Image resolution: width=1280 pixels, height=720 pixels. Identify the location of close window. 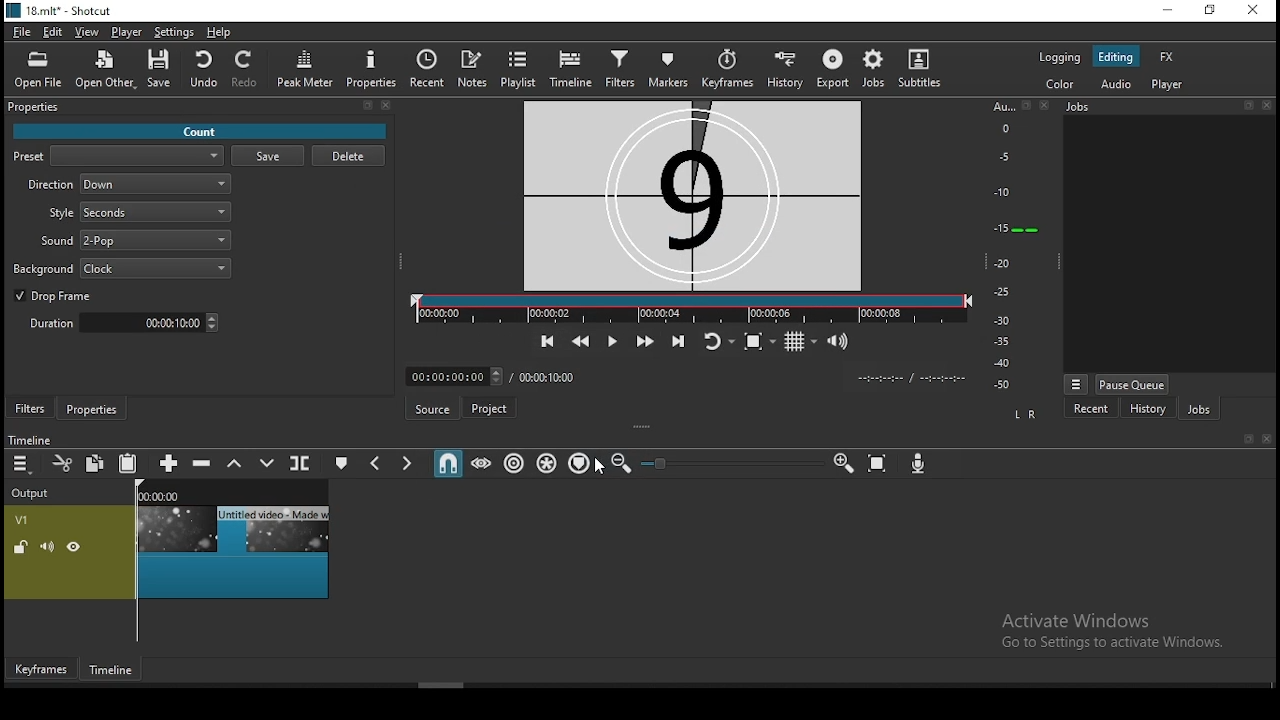
(1254, 13).